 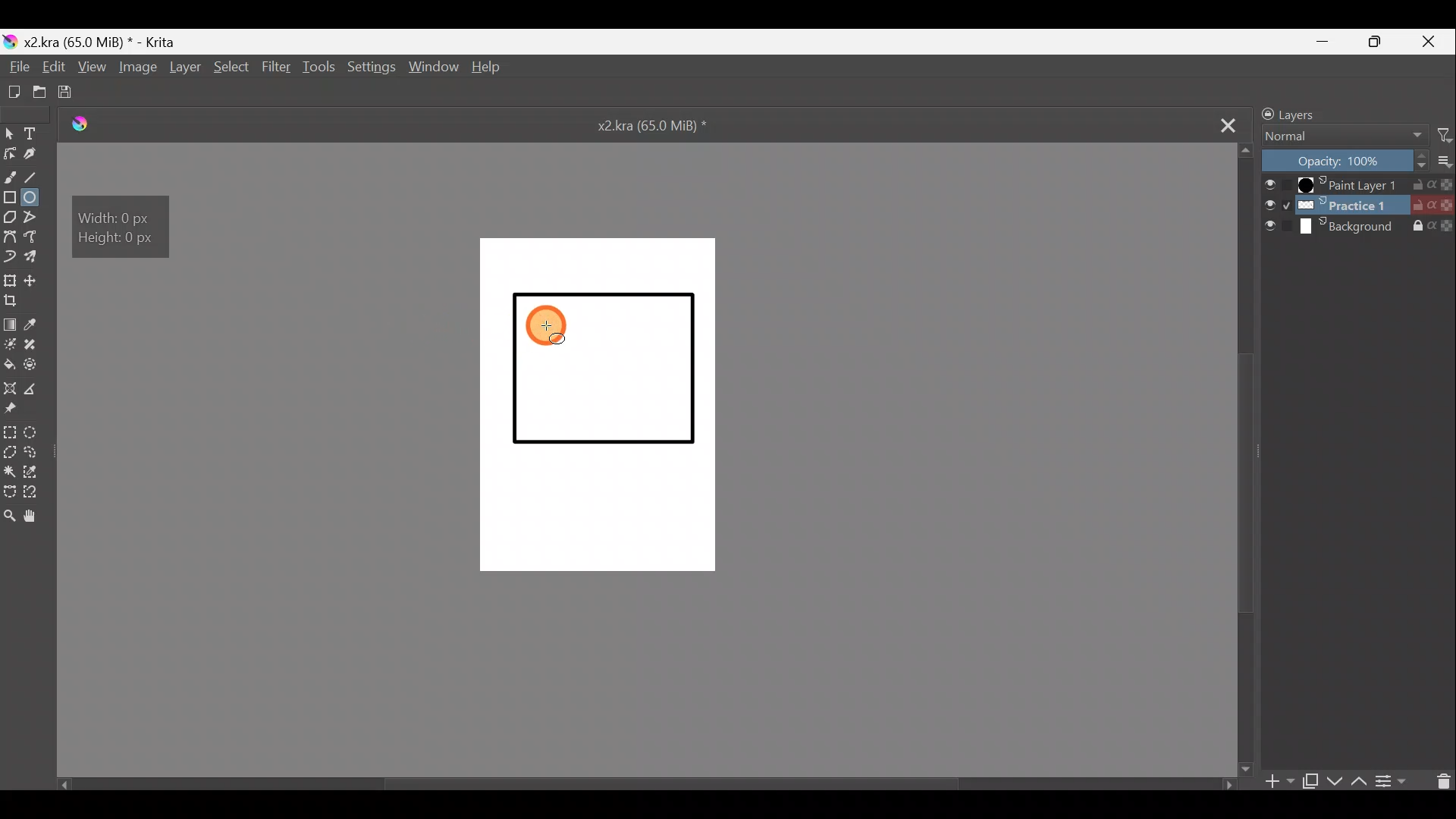 What do you see at coordinates (11, 155) in the screenshot?
I see `Edit shapes tool` at bounding box center [11, 155].